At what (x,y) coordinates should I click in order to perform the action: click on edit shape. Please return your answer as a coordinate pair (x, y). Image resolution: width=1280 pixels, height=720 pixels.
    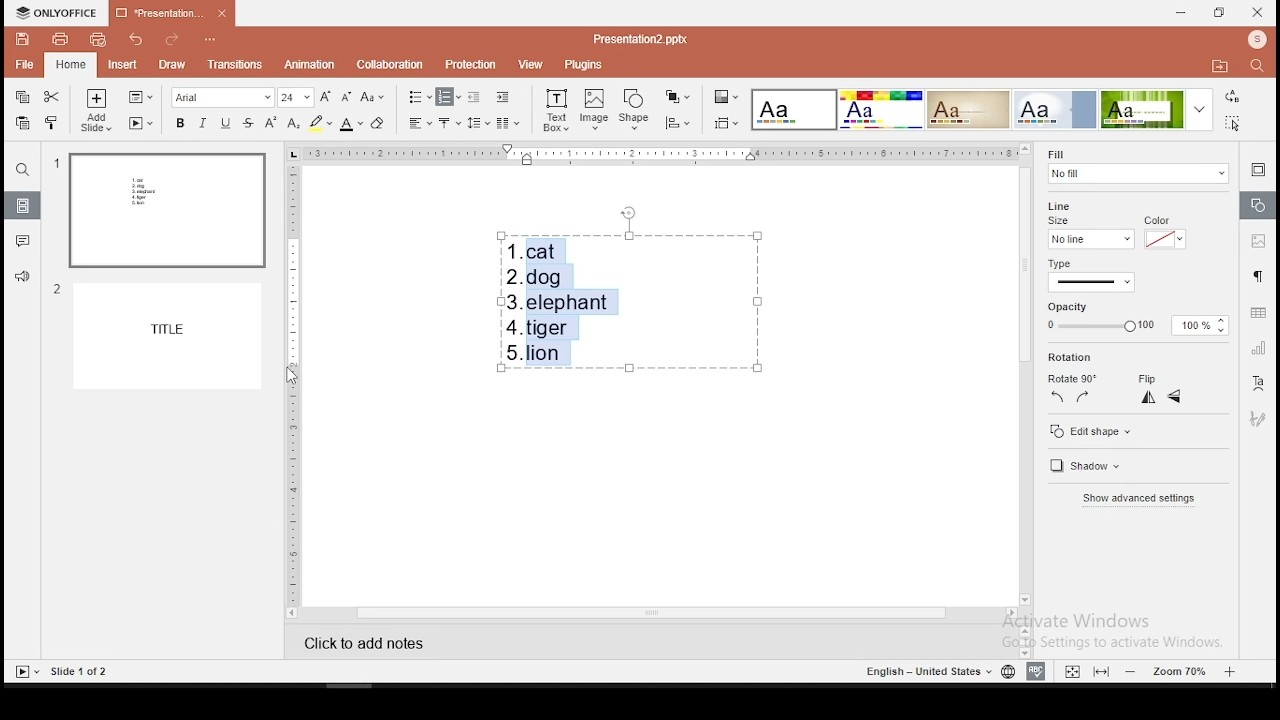
    Looking at the image, I should click on (1098, 431).